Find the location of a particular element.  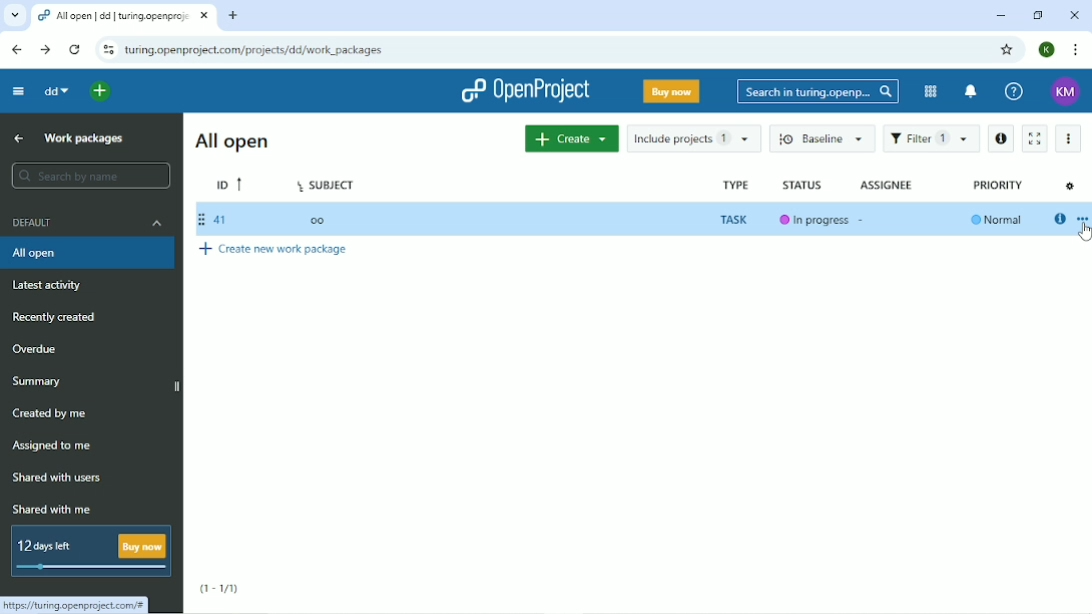

Configure view is located at coordinates (1070, 187).